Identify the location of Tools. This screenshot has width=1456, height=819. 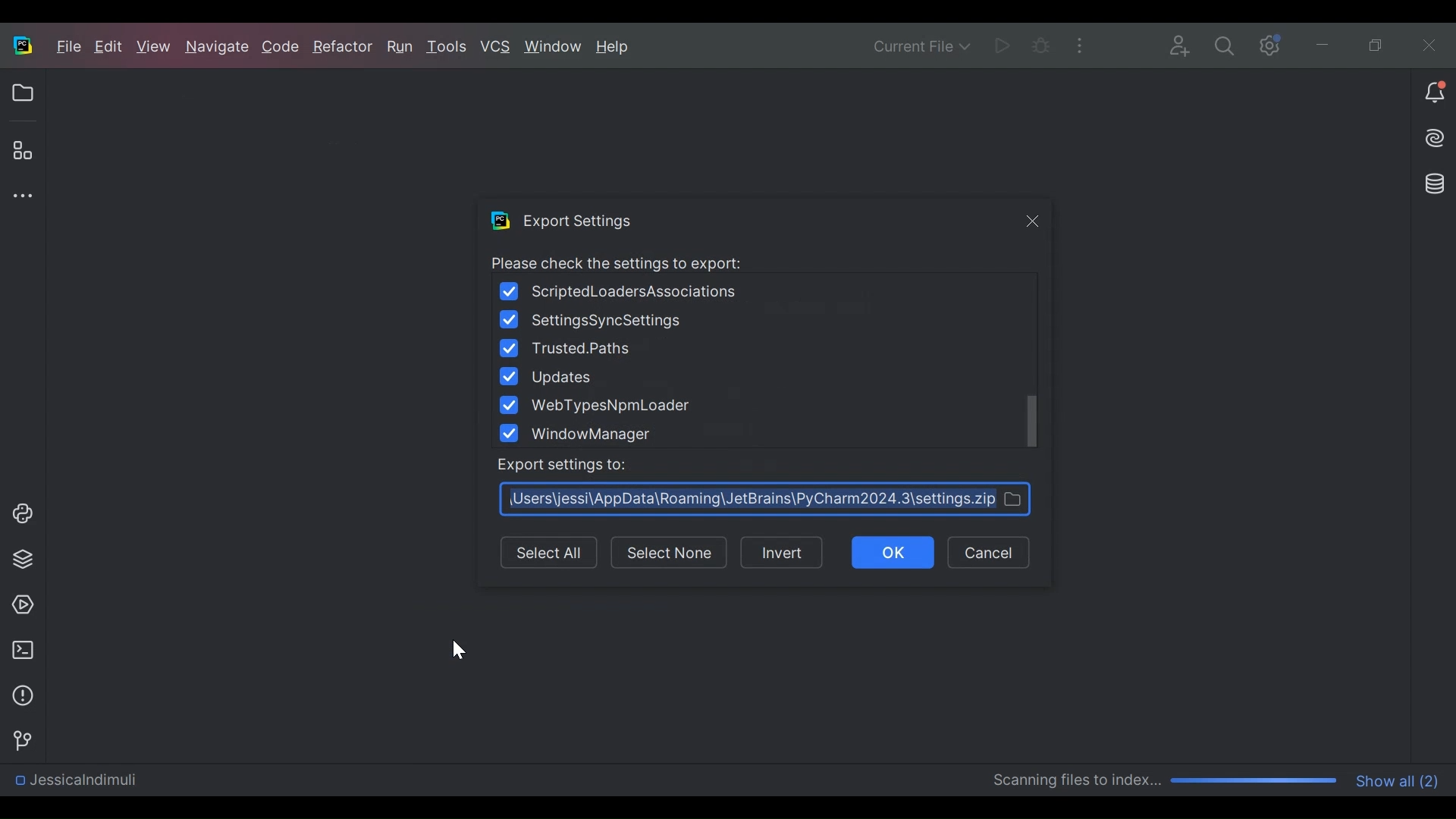
(450, 48).